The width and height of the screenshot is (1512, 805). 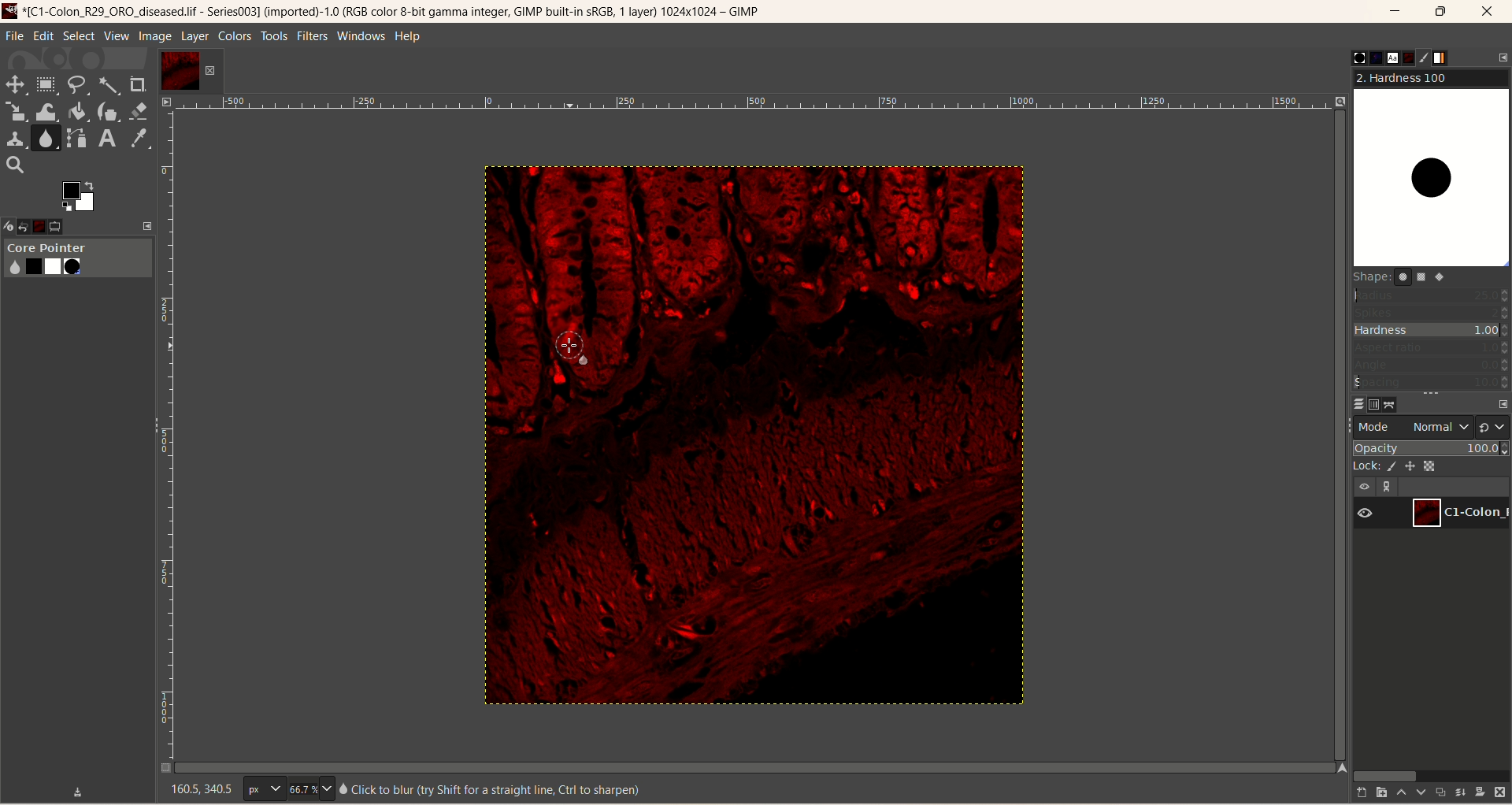 I want to click on lower this layer one step, so click(x=1418, y=794).